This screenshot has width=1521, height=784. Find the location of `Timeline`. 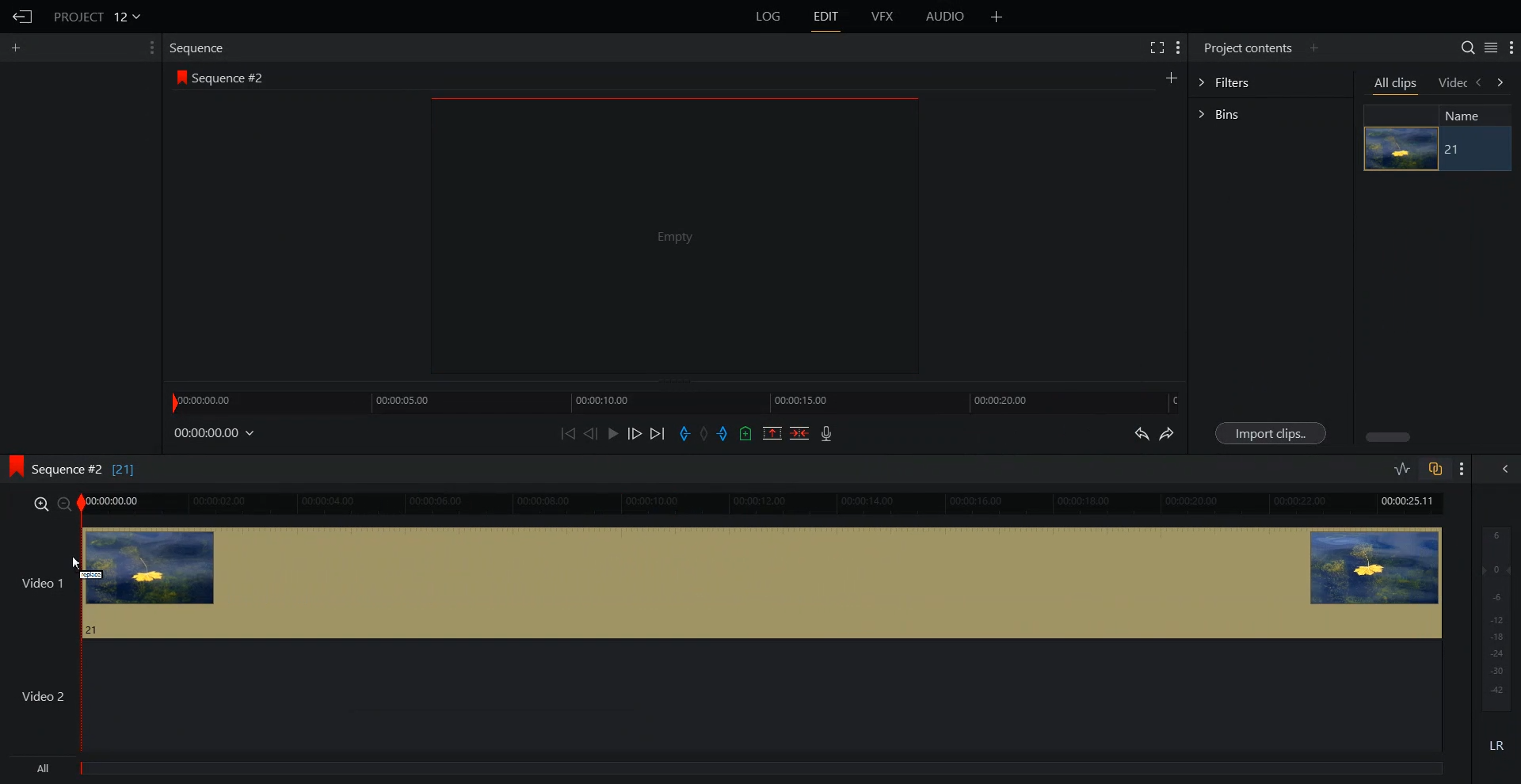

Timeline is located at coordinates (677, 400).